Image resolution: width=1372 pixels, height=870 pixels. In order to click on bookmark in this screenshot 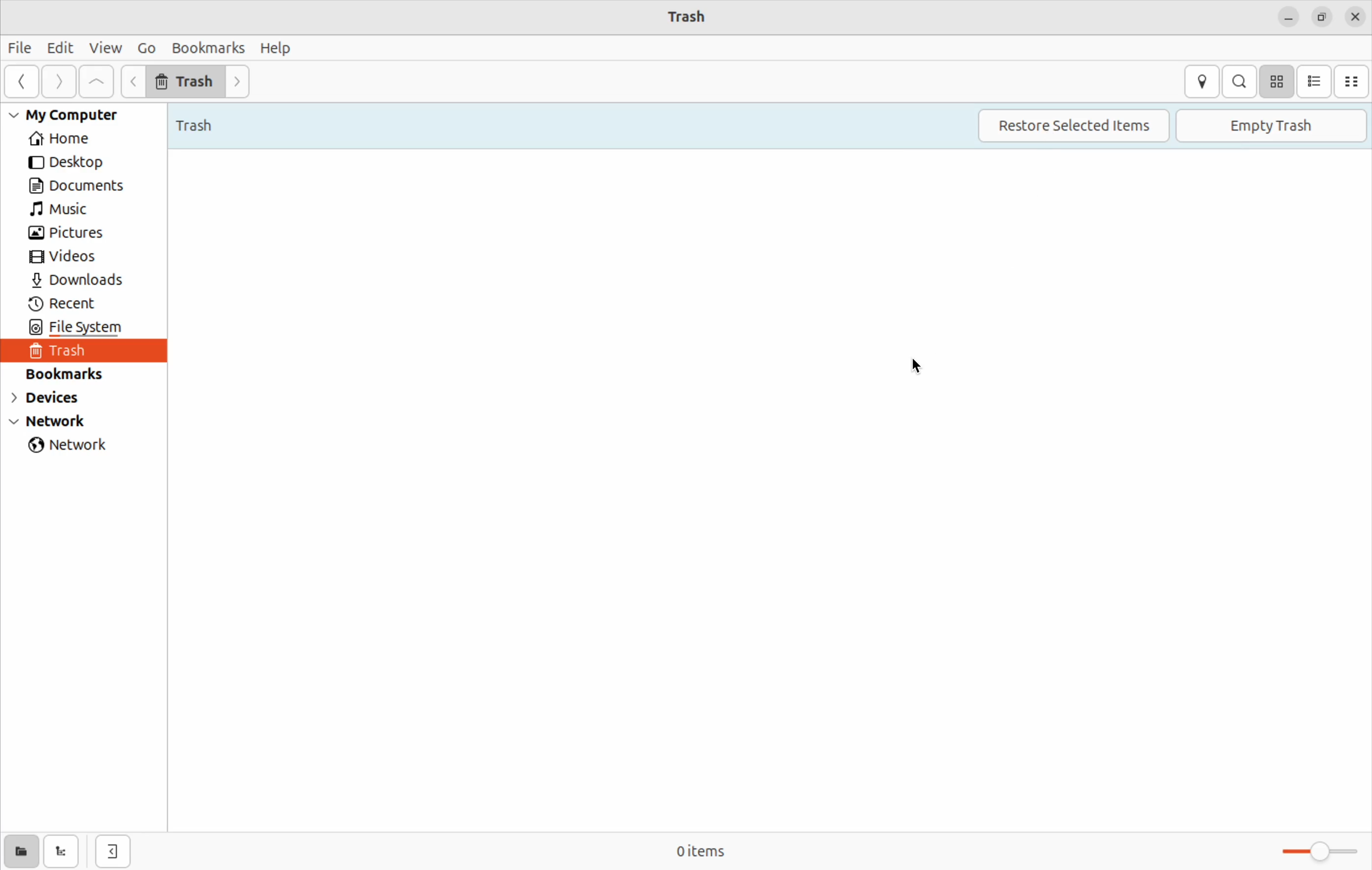, I will do `click(206, 47)`.